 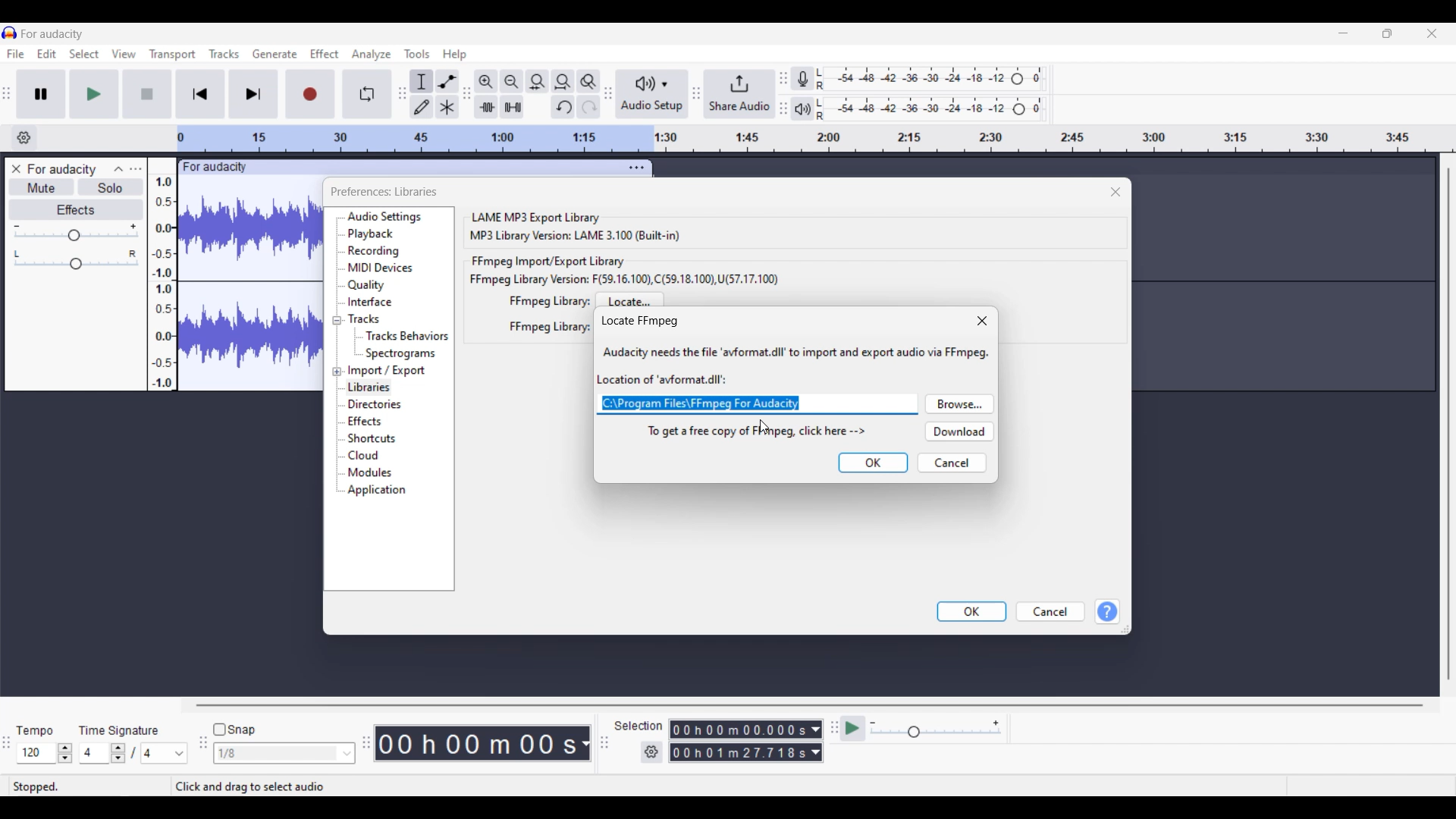 What do you see at coordinates (757, 431) in the screenshot?
I see `To get a free copy of FFmpeg, click here -->` at bounding box center [757, 431].